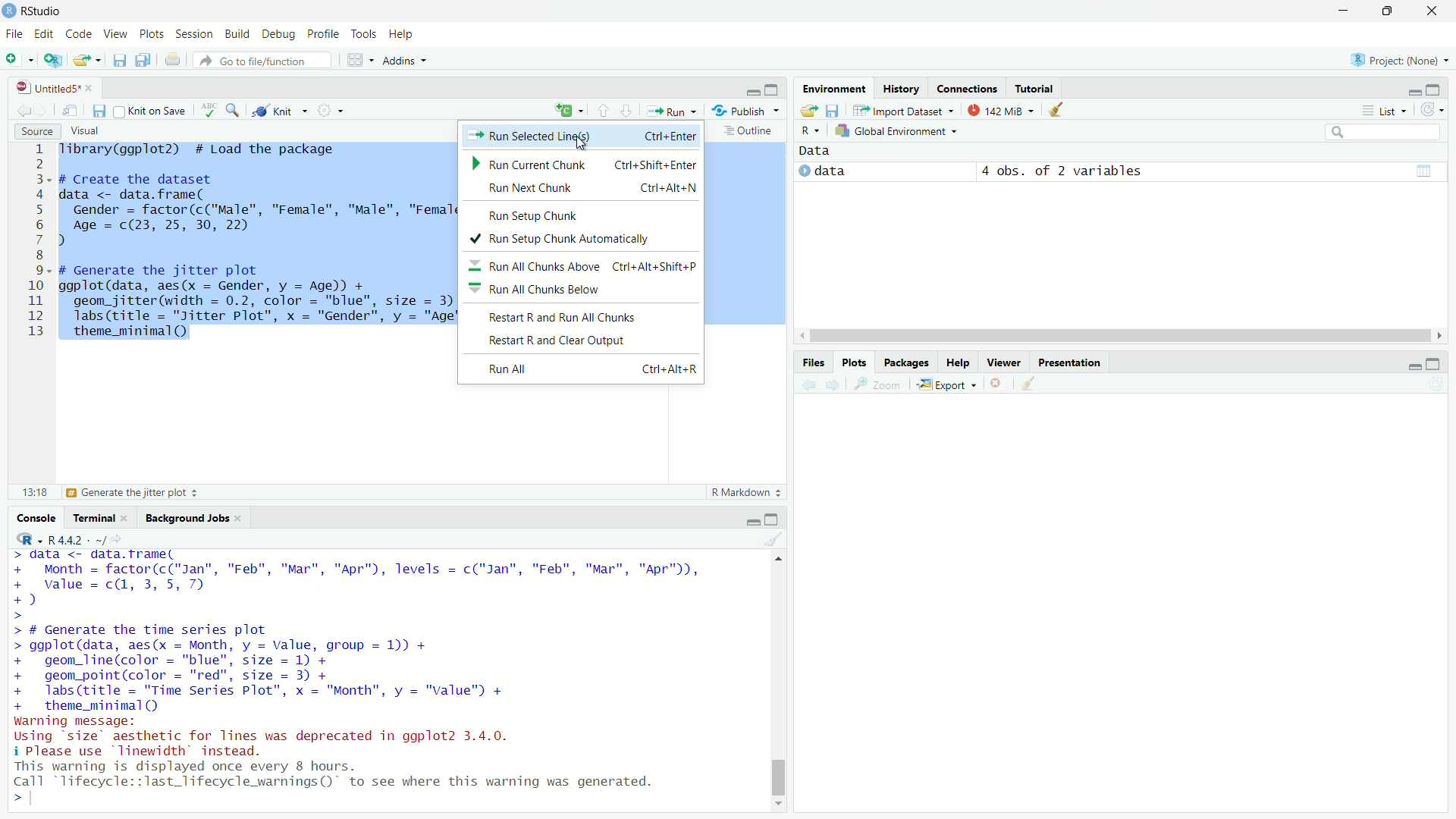 This screenshot has height=819, width=1456. What do you see at coordinates (91, 516) in the screenshot?
I see `terminal` at bounding box center [91, 516].